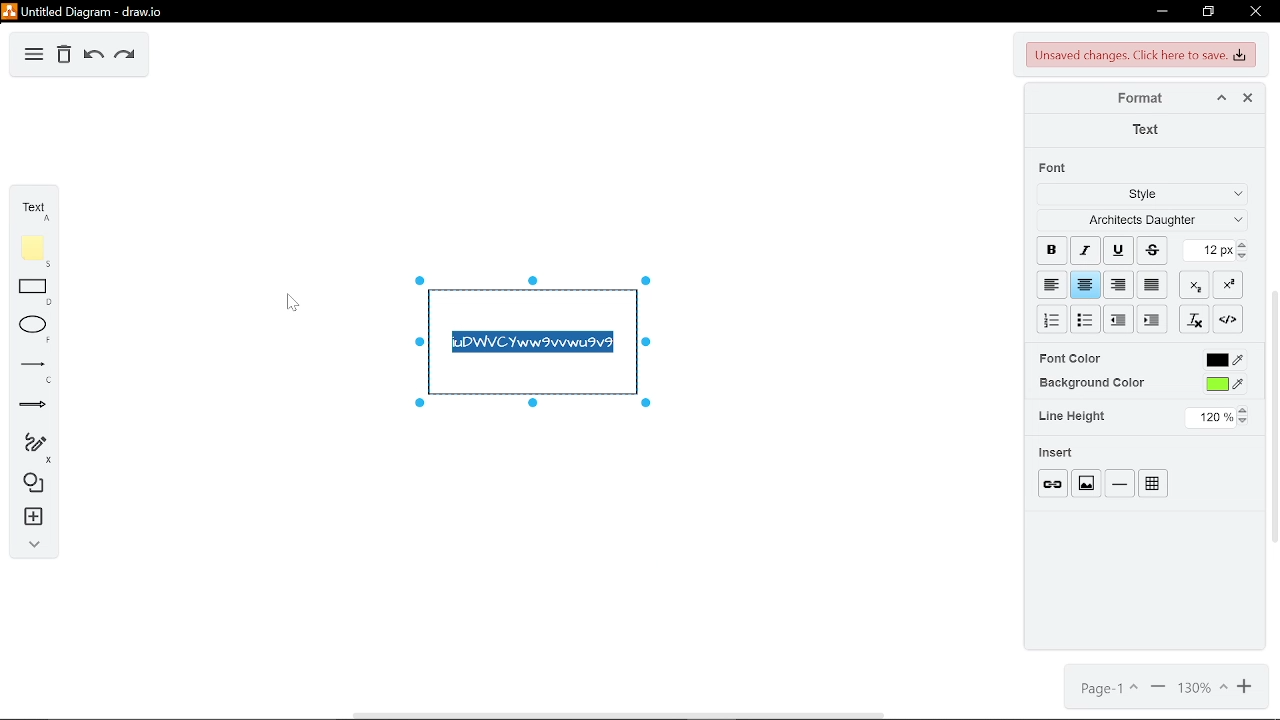 This screenshot has width=1280, height=720. What do you see at coordinates (1246, 421) in the screenshot?
I see `decrease line height` at bounding box center [1246, 421].